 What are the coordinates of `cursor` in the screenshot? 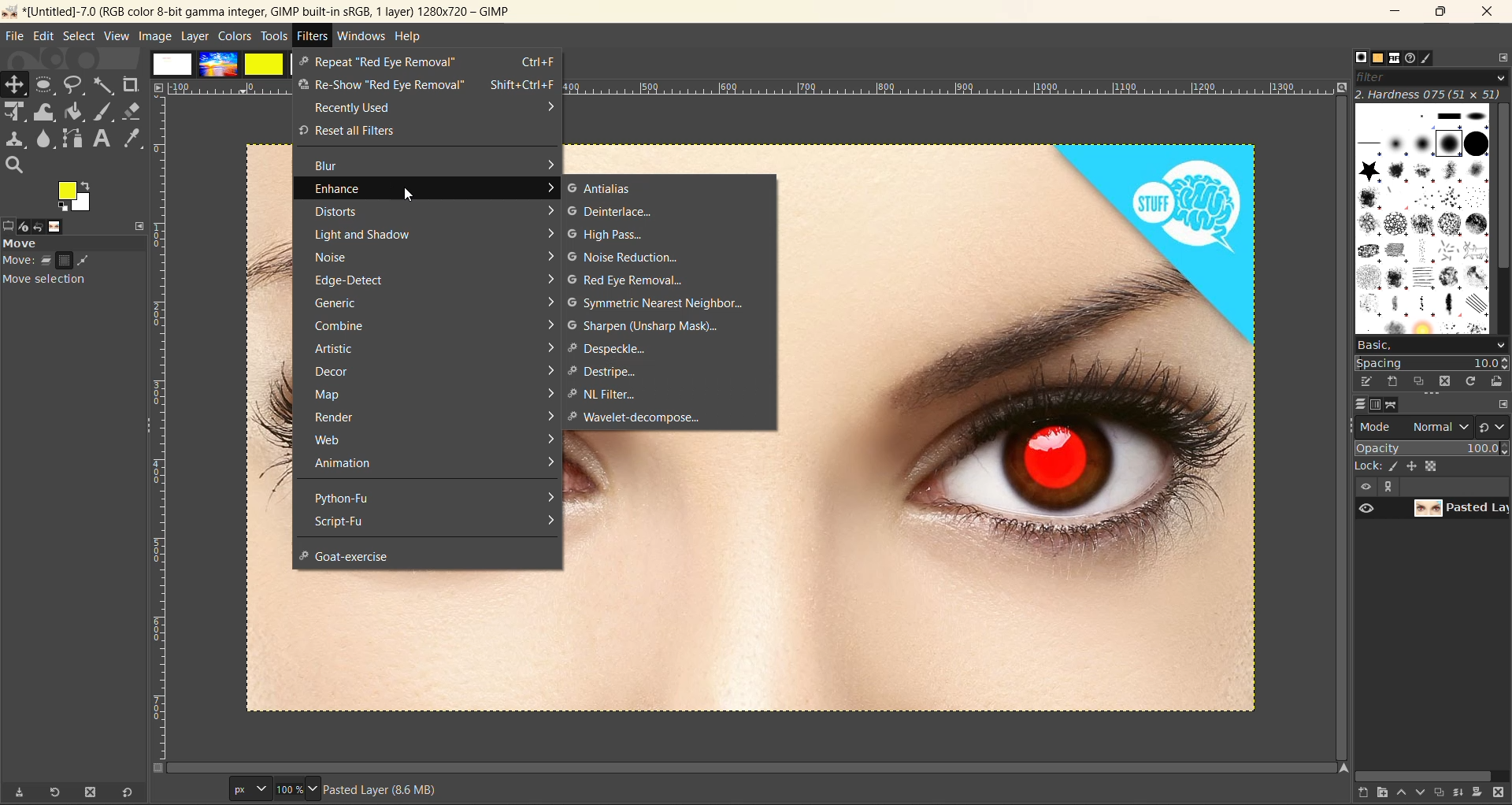 It's located at (410, 194).